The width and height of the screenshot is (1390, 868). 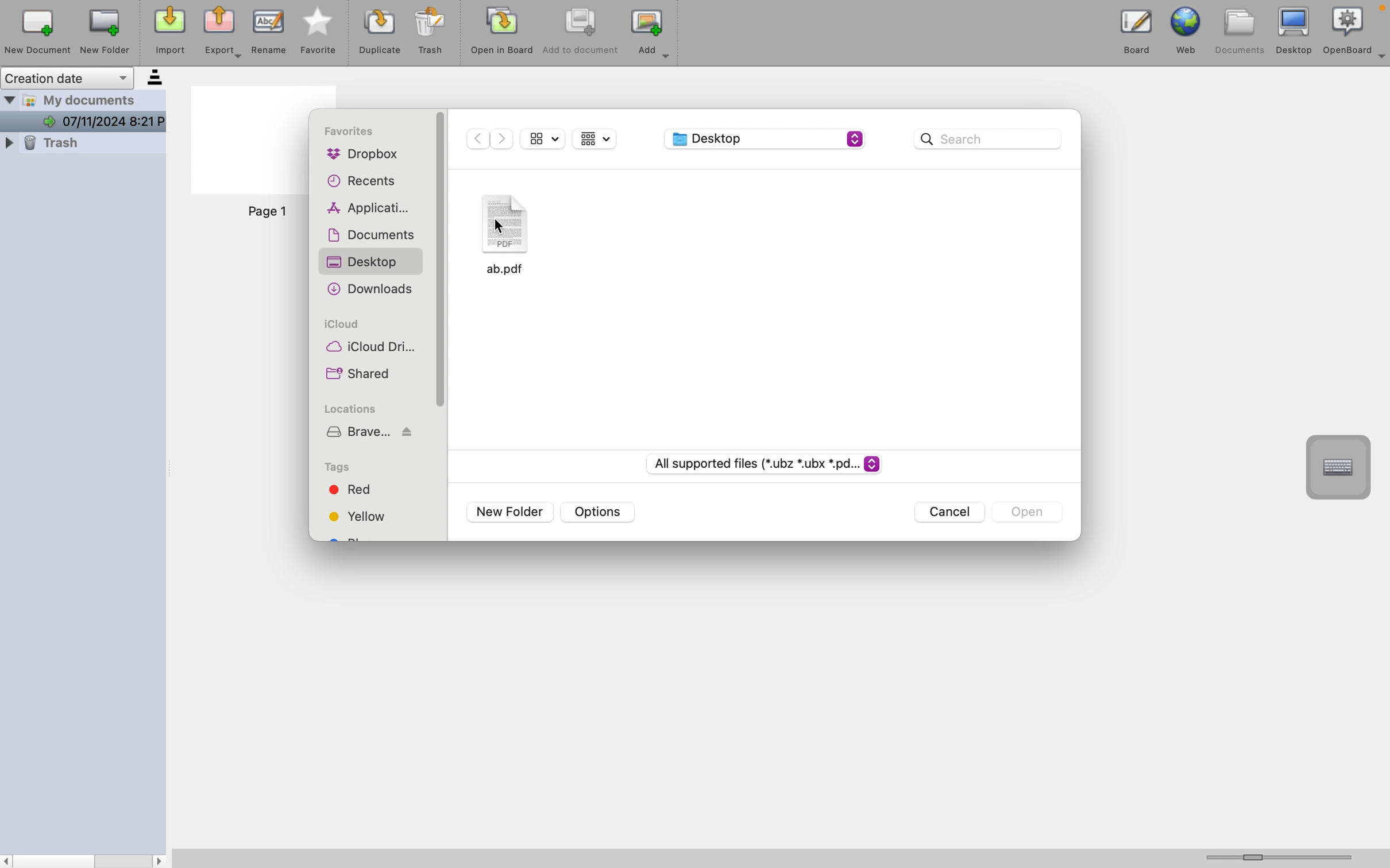 I want to click on duplicat, so click(x=379, y=35).